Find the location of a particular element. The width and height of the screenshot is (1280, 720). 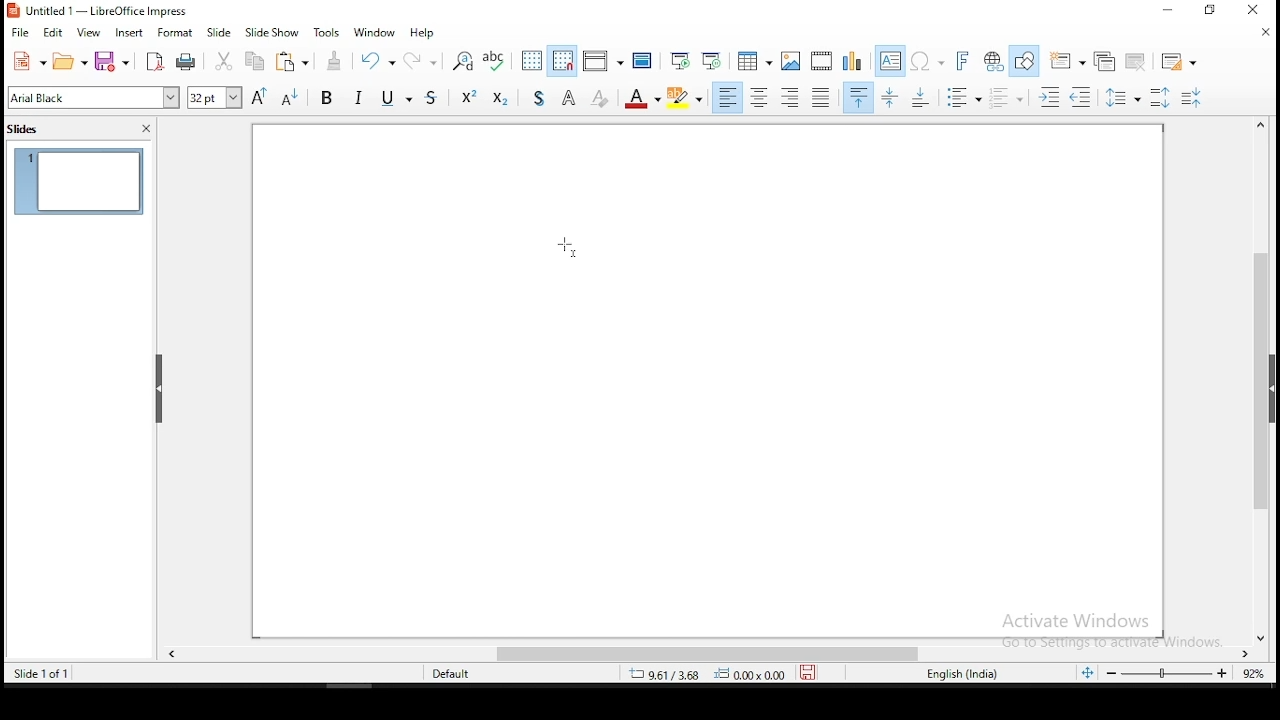

charts is located at coordinates (853, 60).